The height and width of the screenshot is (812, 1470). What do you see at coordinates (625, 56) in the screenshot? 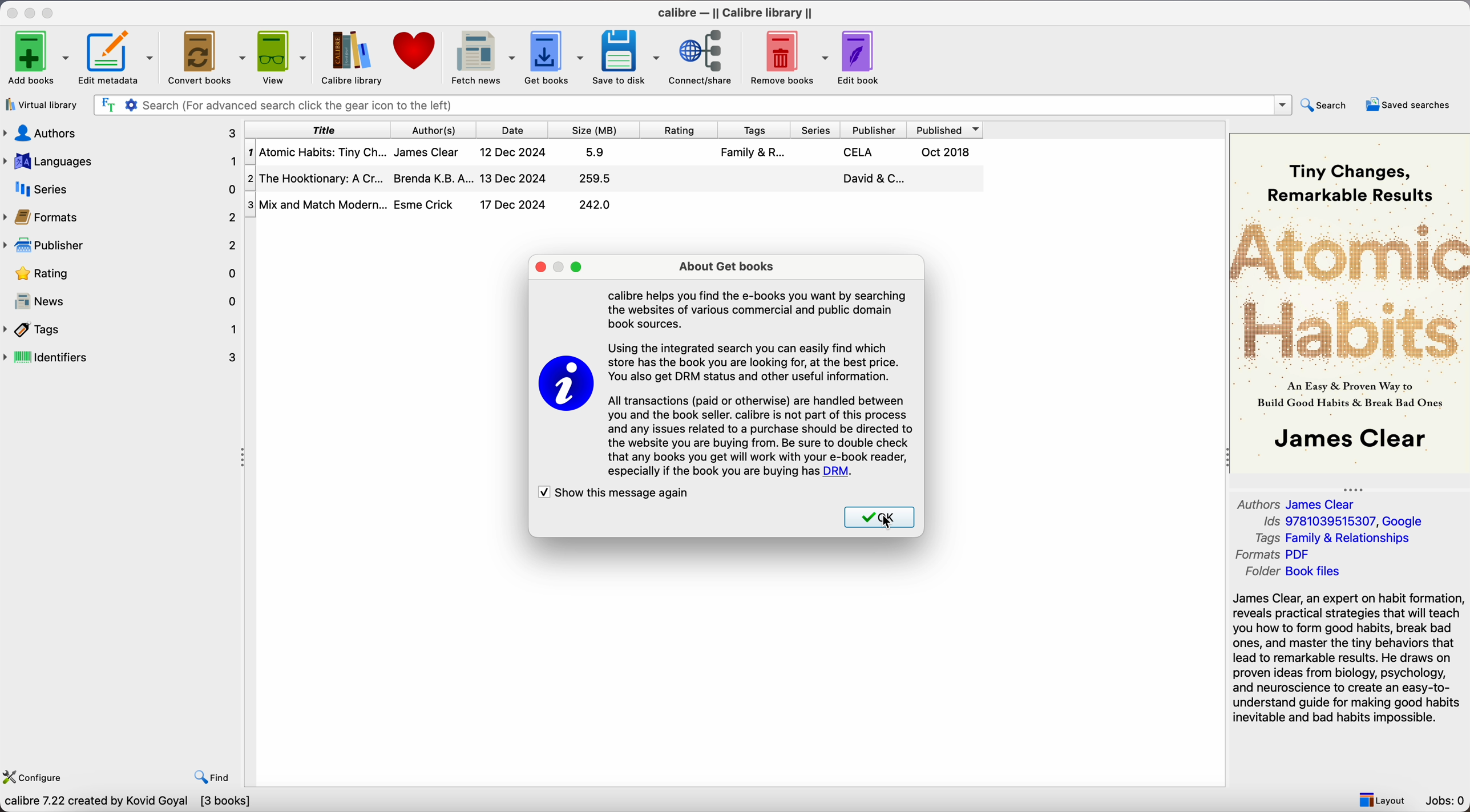
I see `save to disk` at bounding box center [625, 56].